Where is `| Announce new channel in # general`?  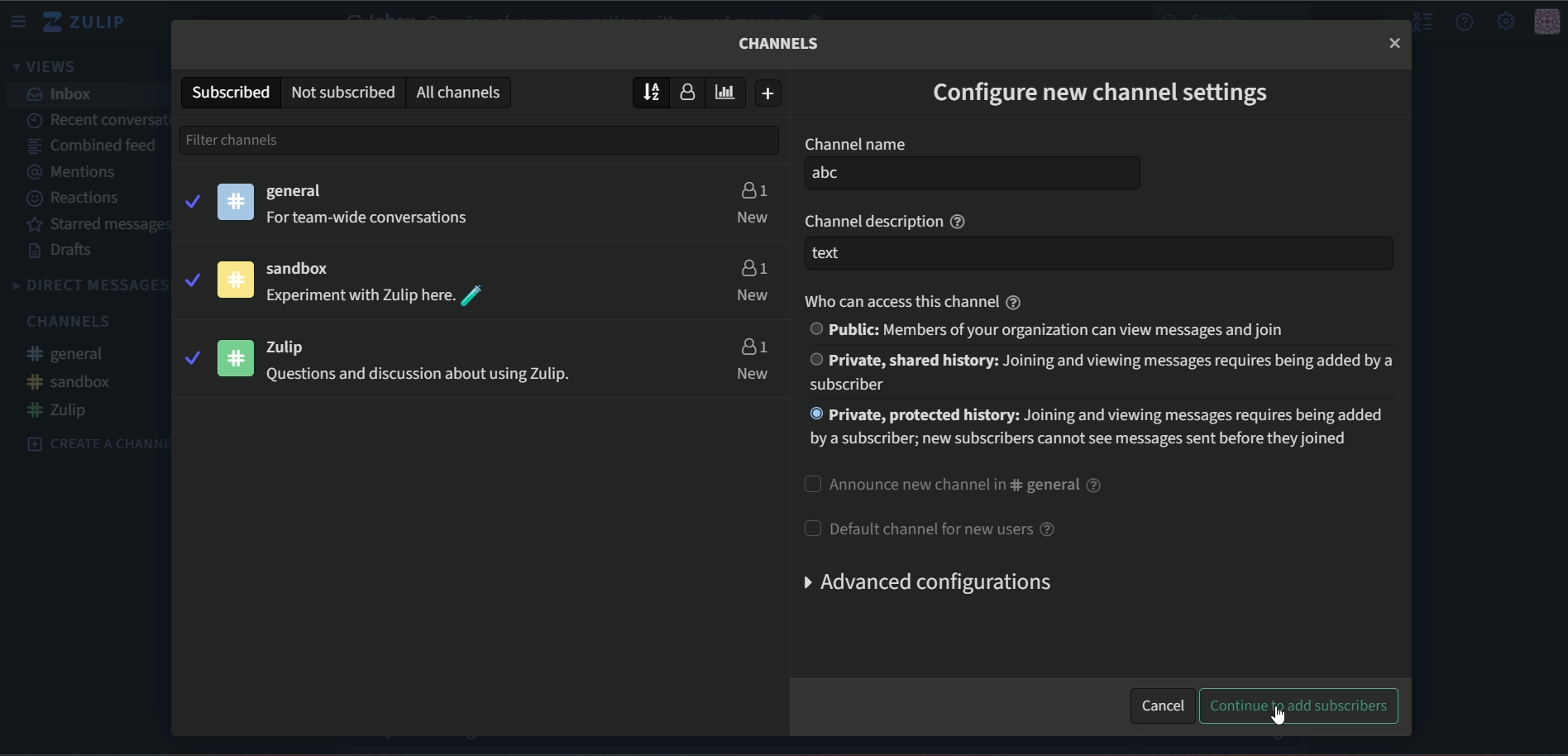
| Announce new channel in # general is located at coordinates (953, 483).